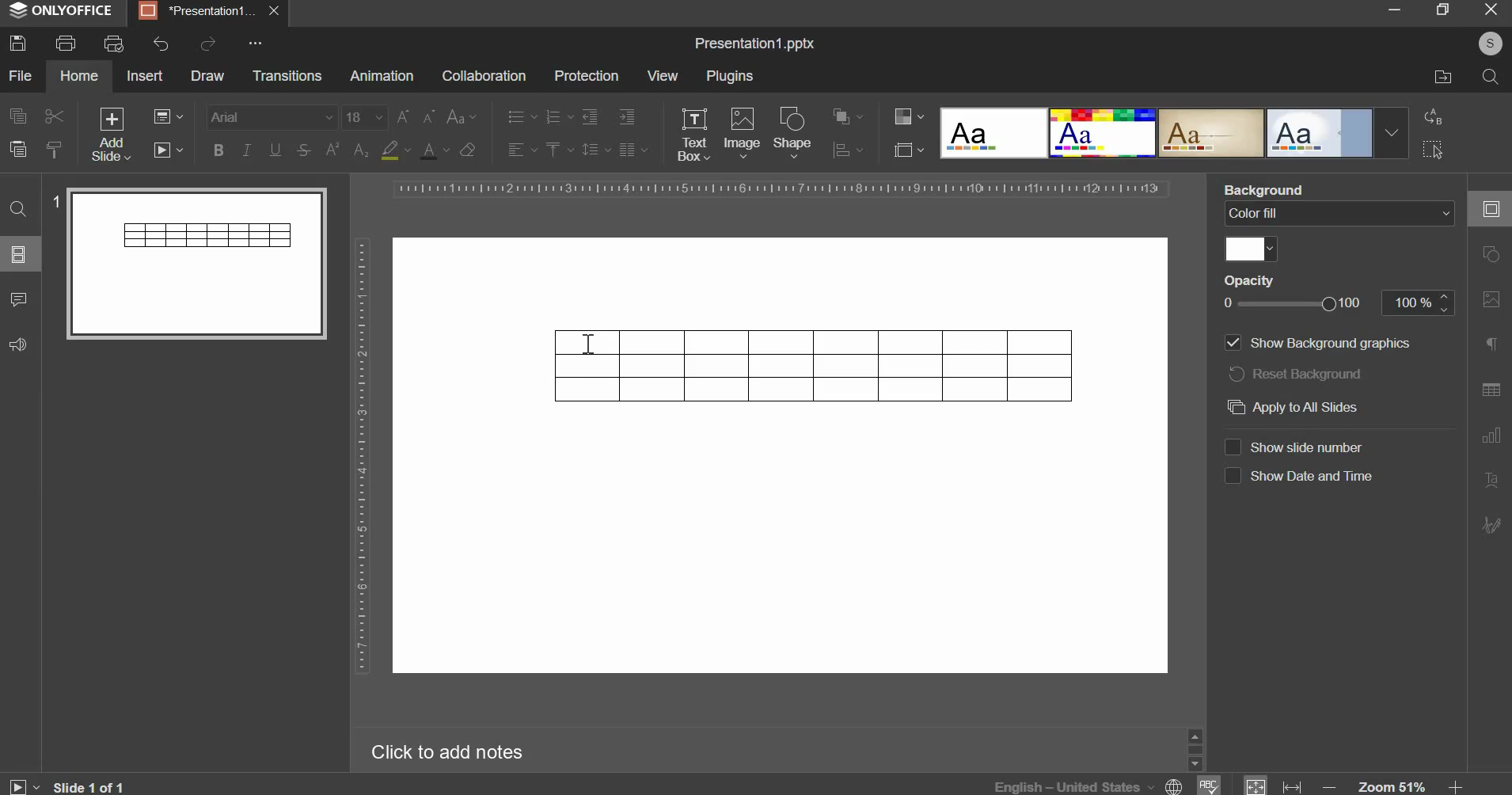 This screenshot has width=1512, height=795. Describe the element at coordinates (589, 116) in the screenshot. I see `decrease indent` at that location.